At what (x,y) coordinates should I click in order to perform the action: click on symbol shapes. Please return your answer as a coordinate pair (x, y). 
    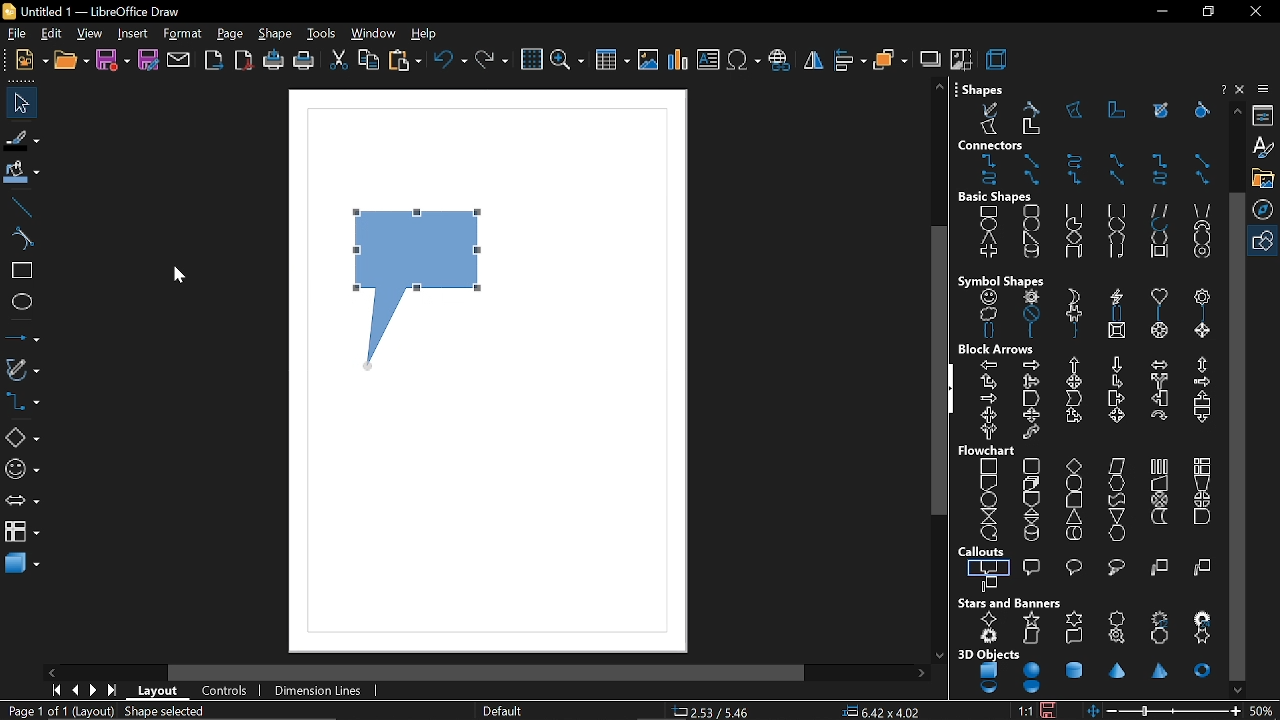
    Looking at the image, I should click on (1002, 280).